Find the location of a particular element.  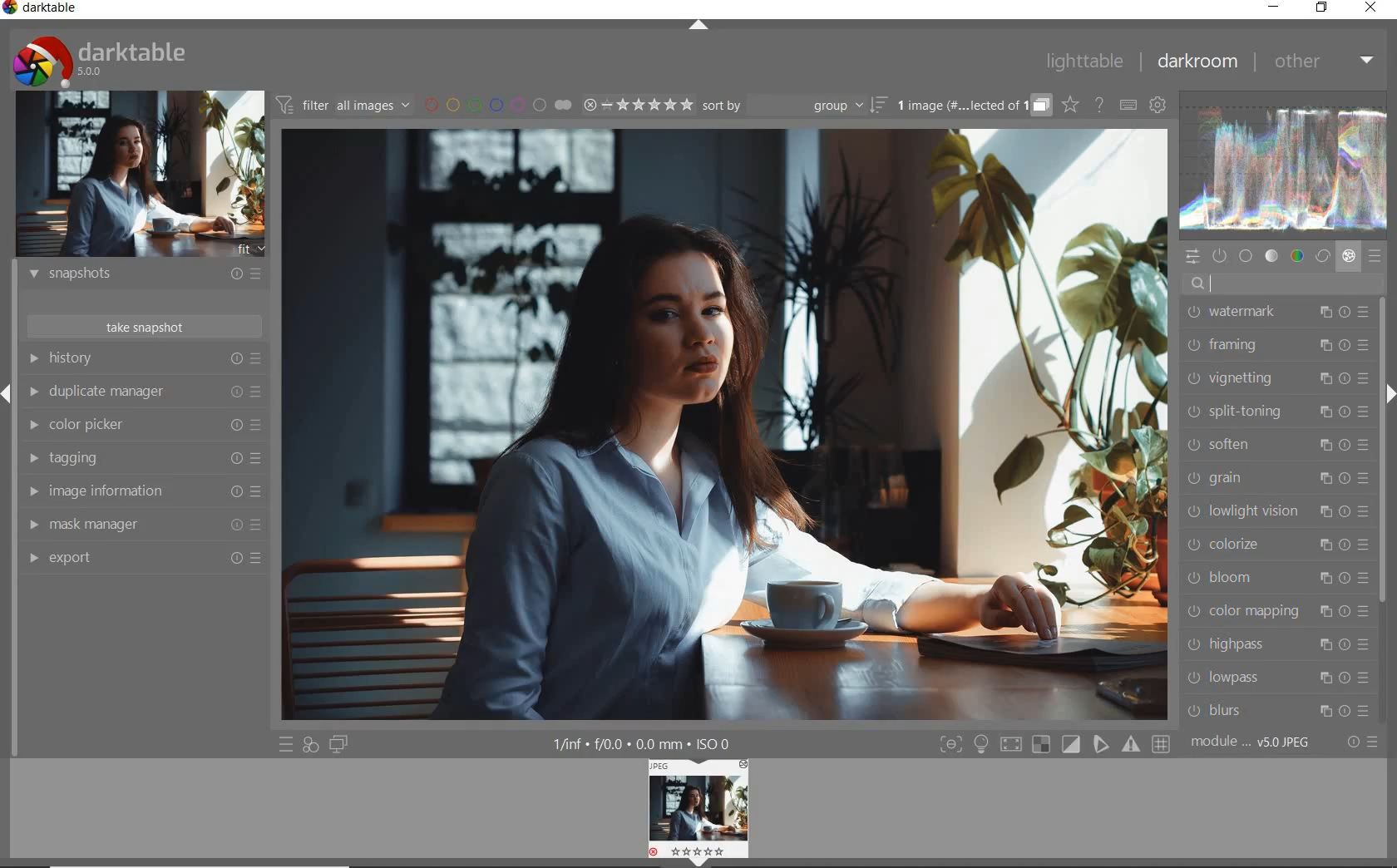

Image preview is located at coordinates (701, 812).